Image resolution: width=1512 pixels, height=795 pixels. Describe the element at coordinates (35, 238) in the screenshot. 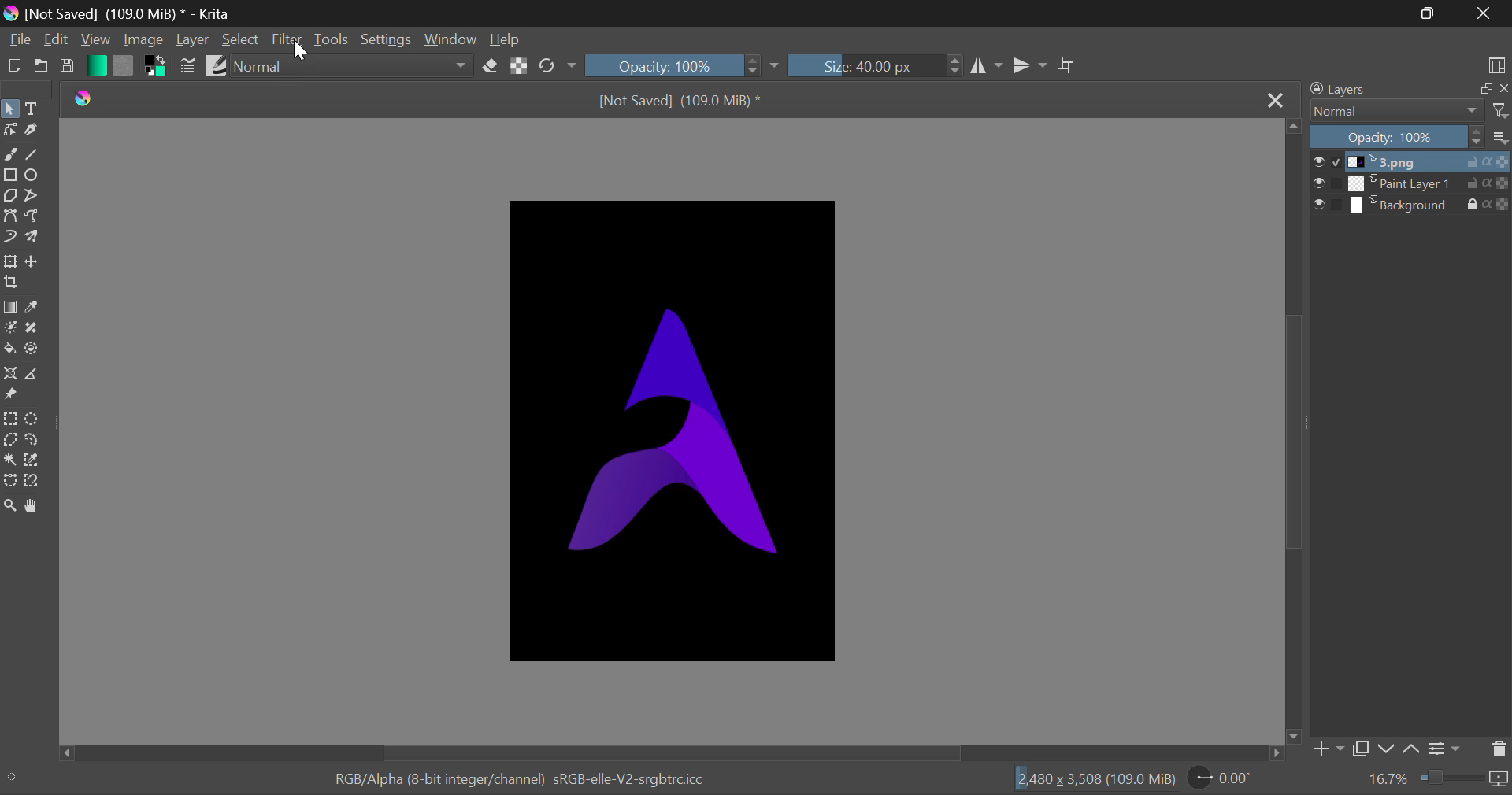

I see `Multibrush` at that location.